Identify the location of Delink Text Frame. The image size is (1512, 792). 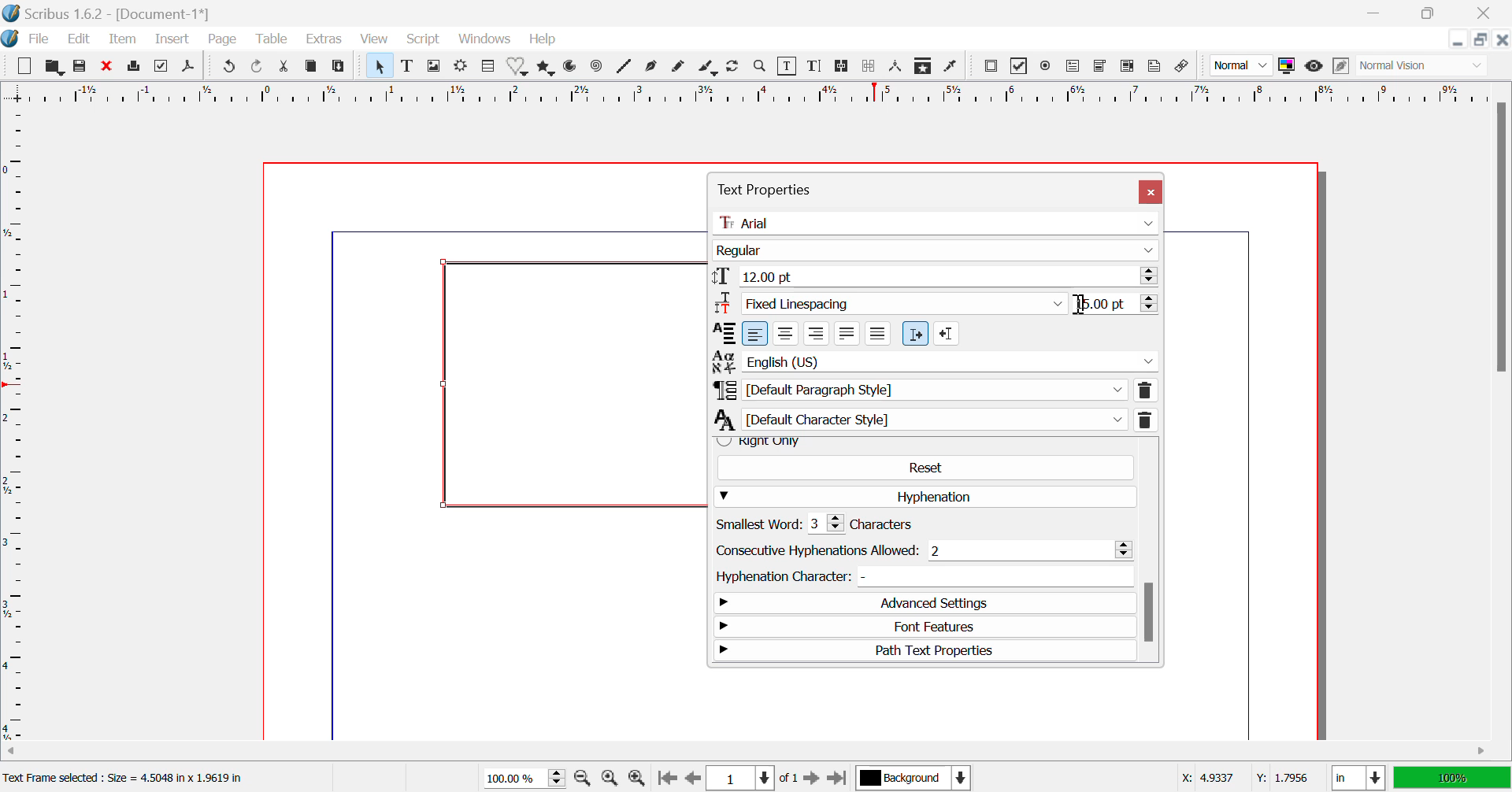
(869, 68).